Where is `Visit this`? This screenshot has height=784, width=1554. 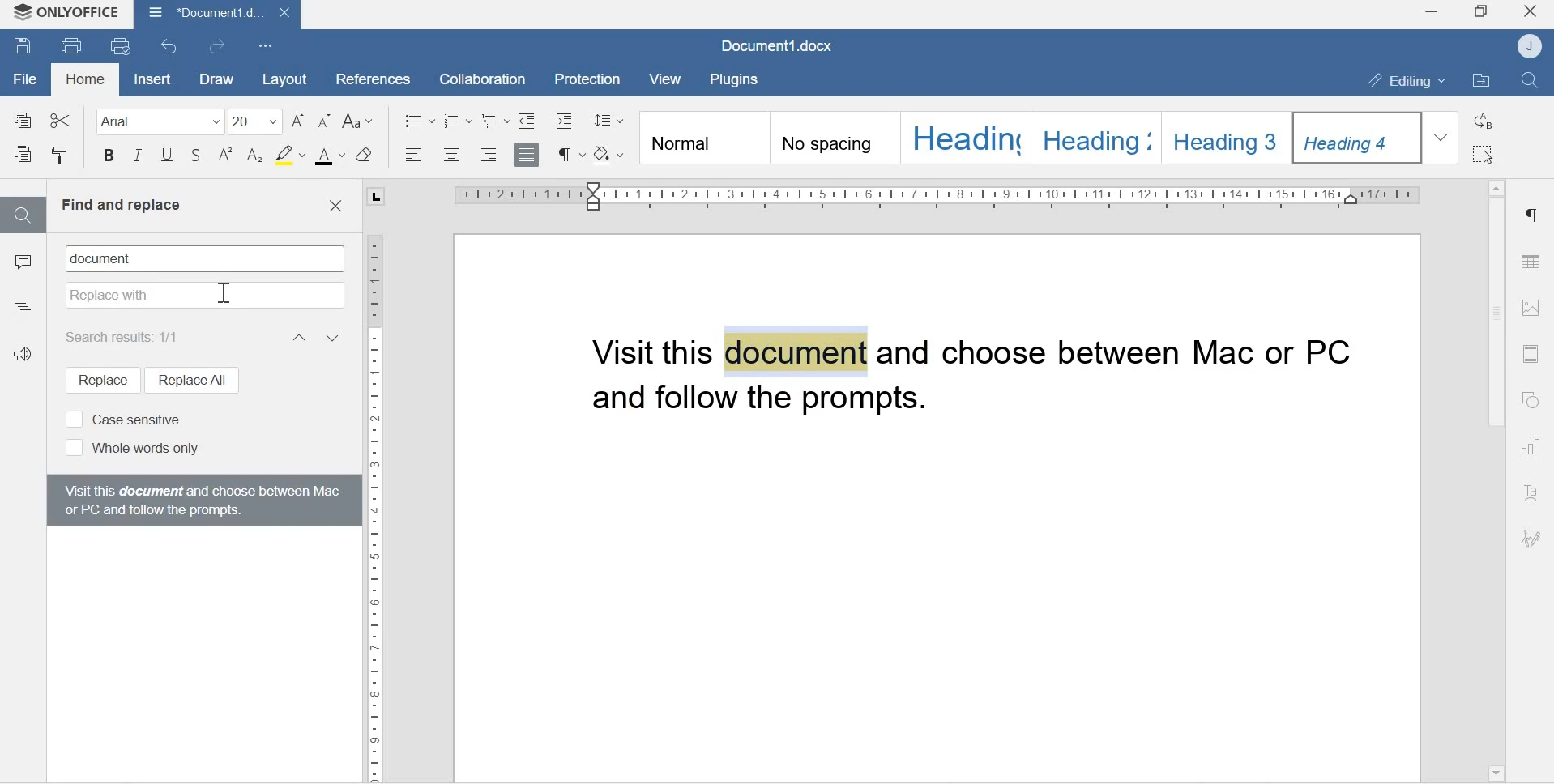
Visit this is located at coordinates (655, 352).